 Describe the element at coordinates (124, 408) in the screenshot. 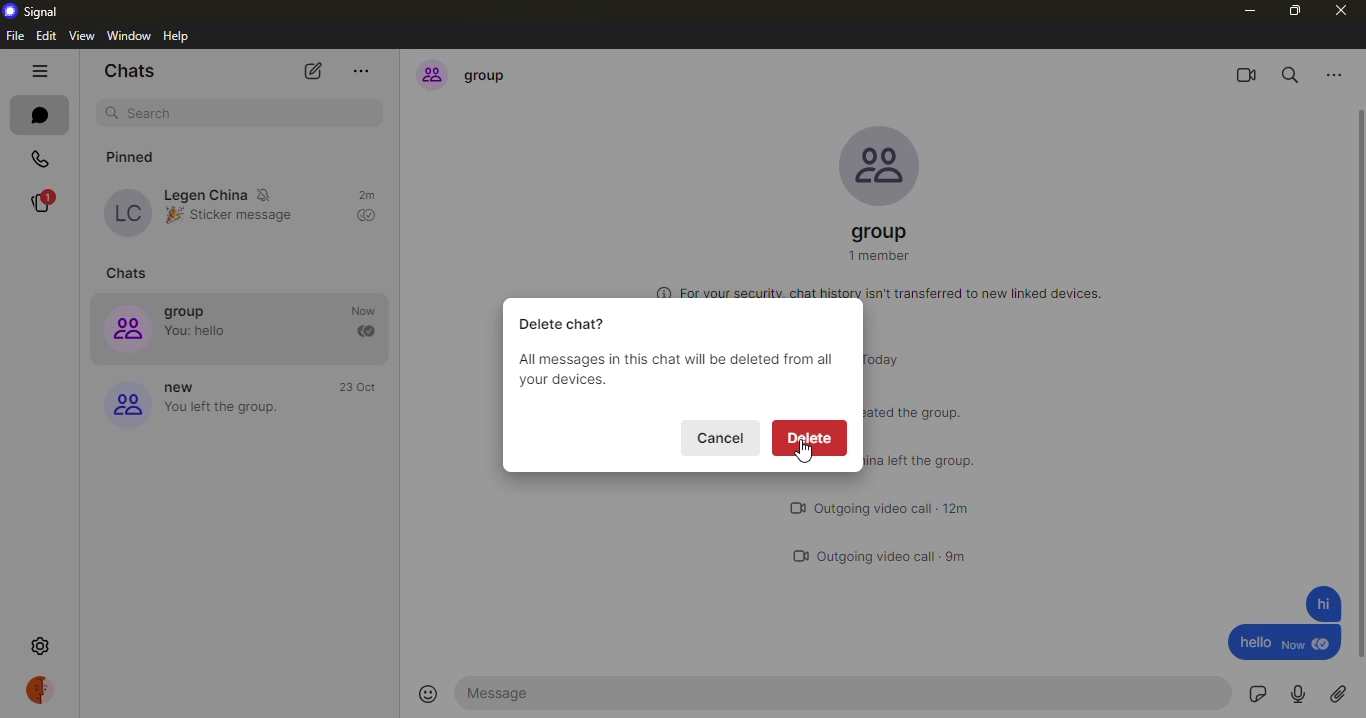

I see `profile icon` at that location.